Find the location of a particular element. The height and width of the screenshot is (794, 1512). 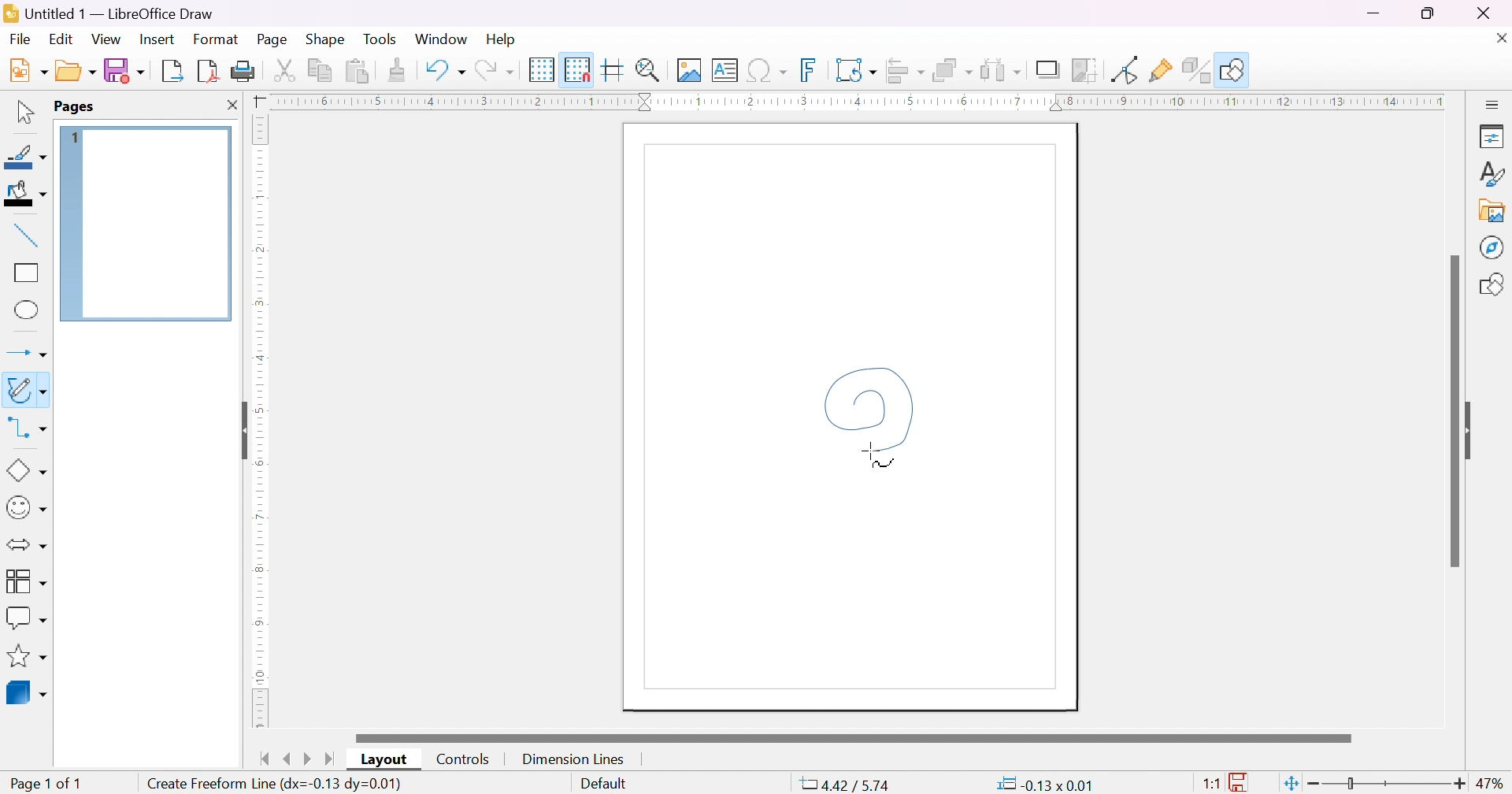

dimension lines is located at coordinates (572, 759).